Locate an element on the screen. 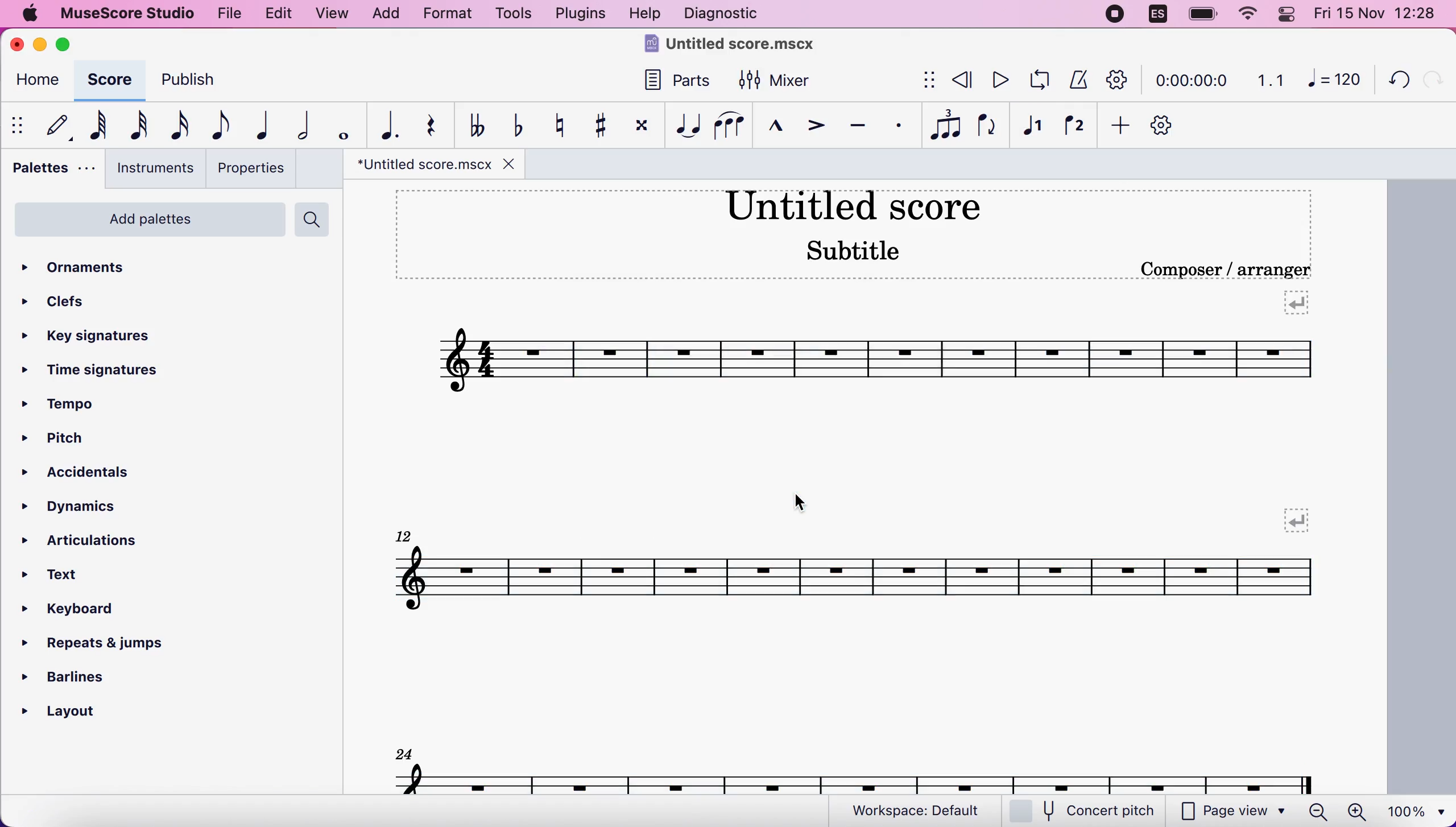 The image size is (1456, 827). parts is located at coordinates (671, 85).